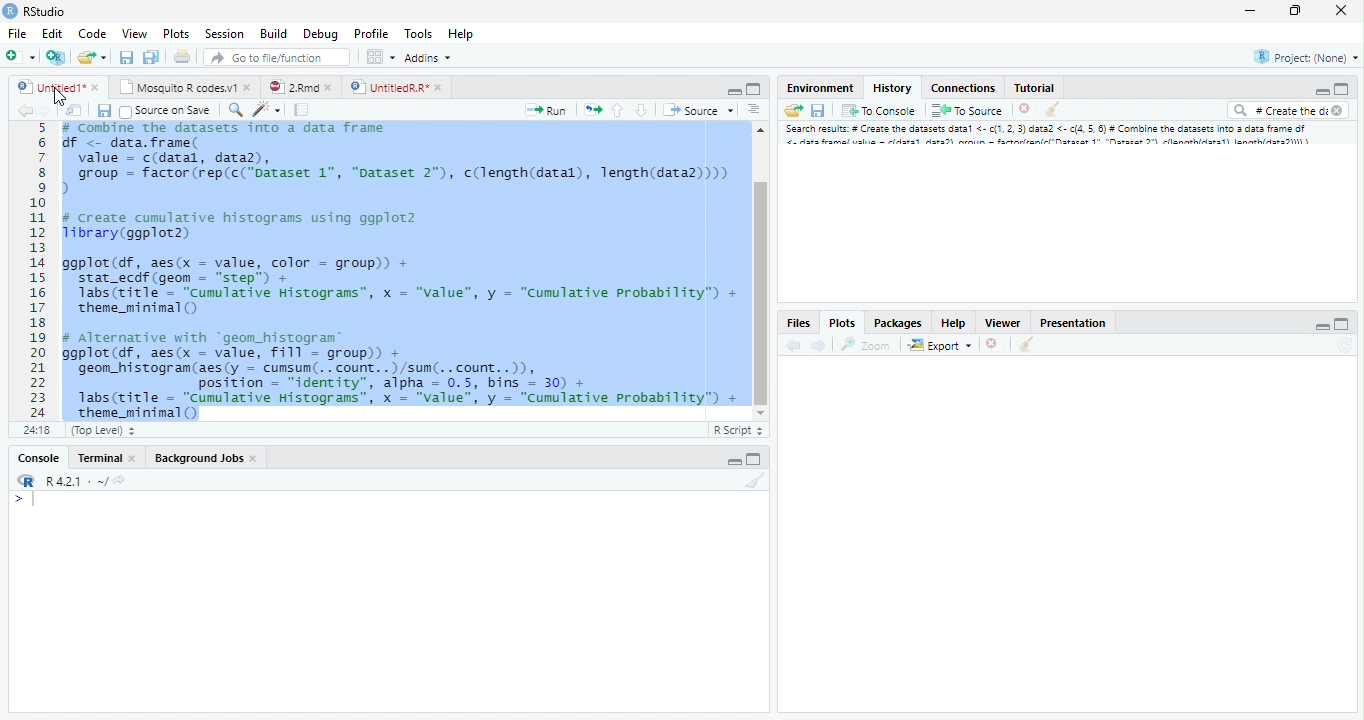 The image size is (1364, 720). Describe the element at coordinates (1340, 90) in the screenshot. I see `Maximize` at that location.